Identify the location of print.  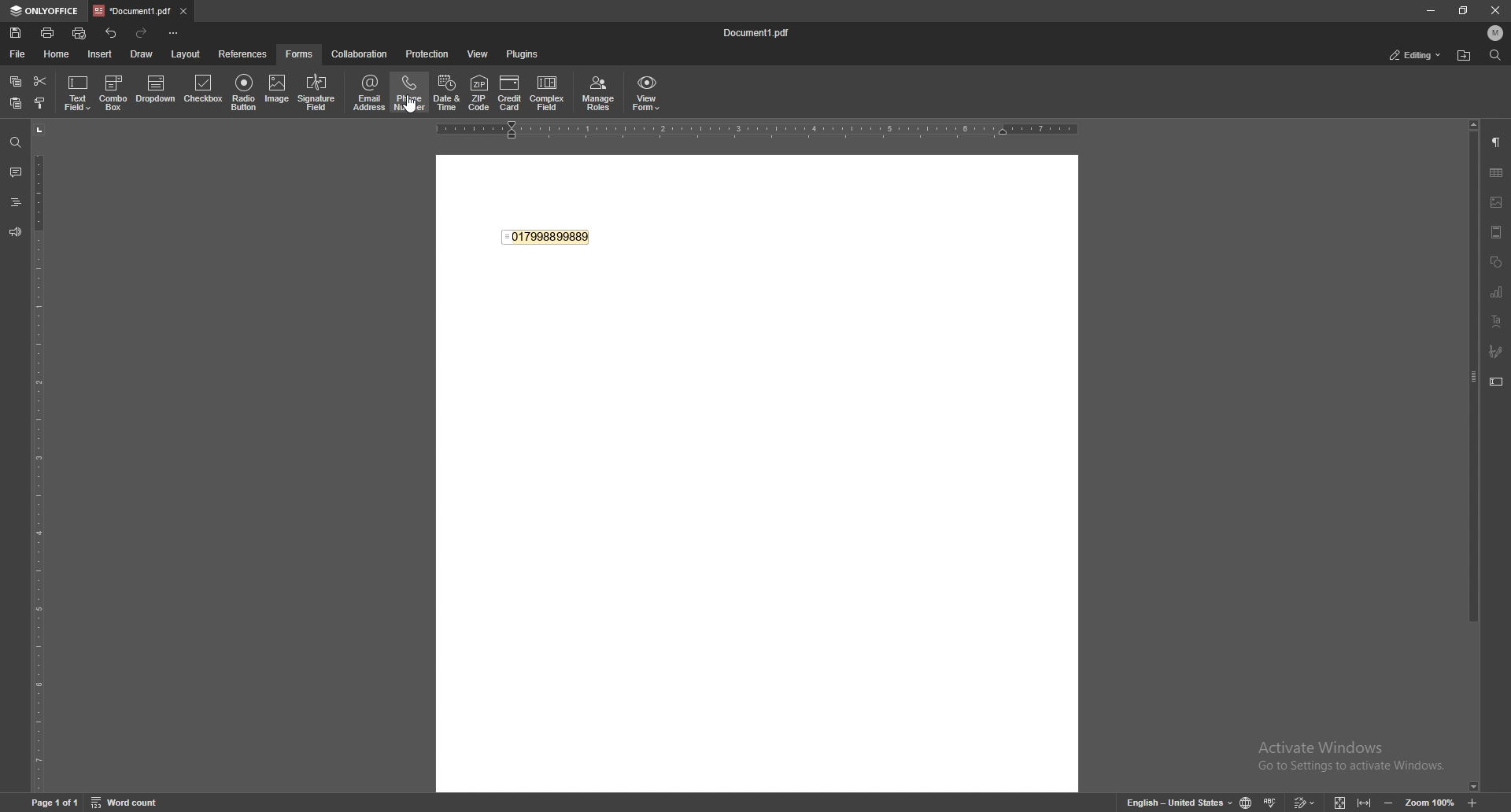
(49, 32).